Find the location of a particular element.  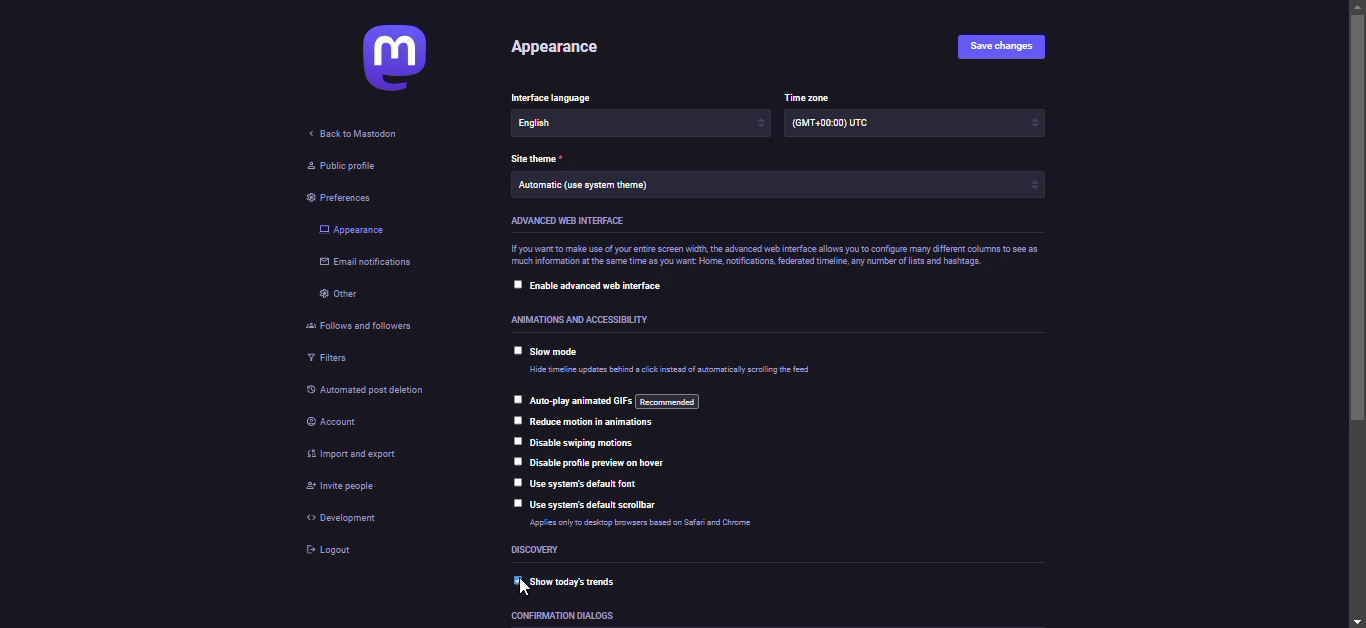

scroll bar is located at coordinates (1359, 314).